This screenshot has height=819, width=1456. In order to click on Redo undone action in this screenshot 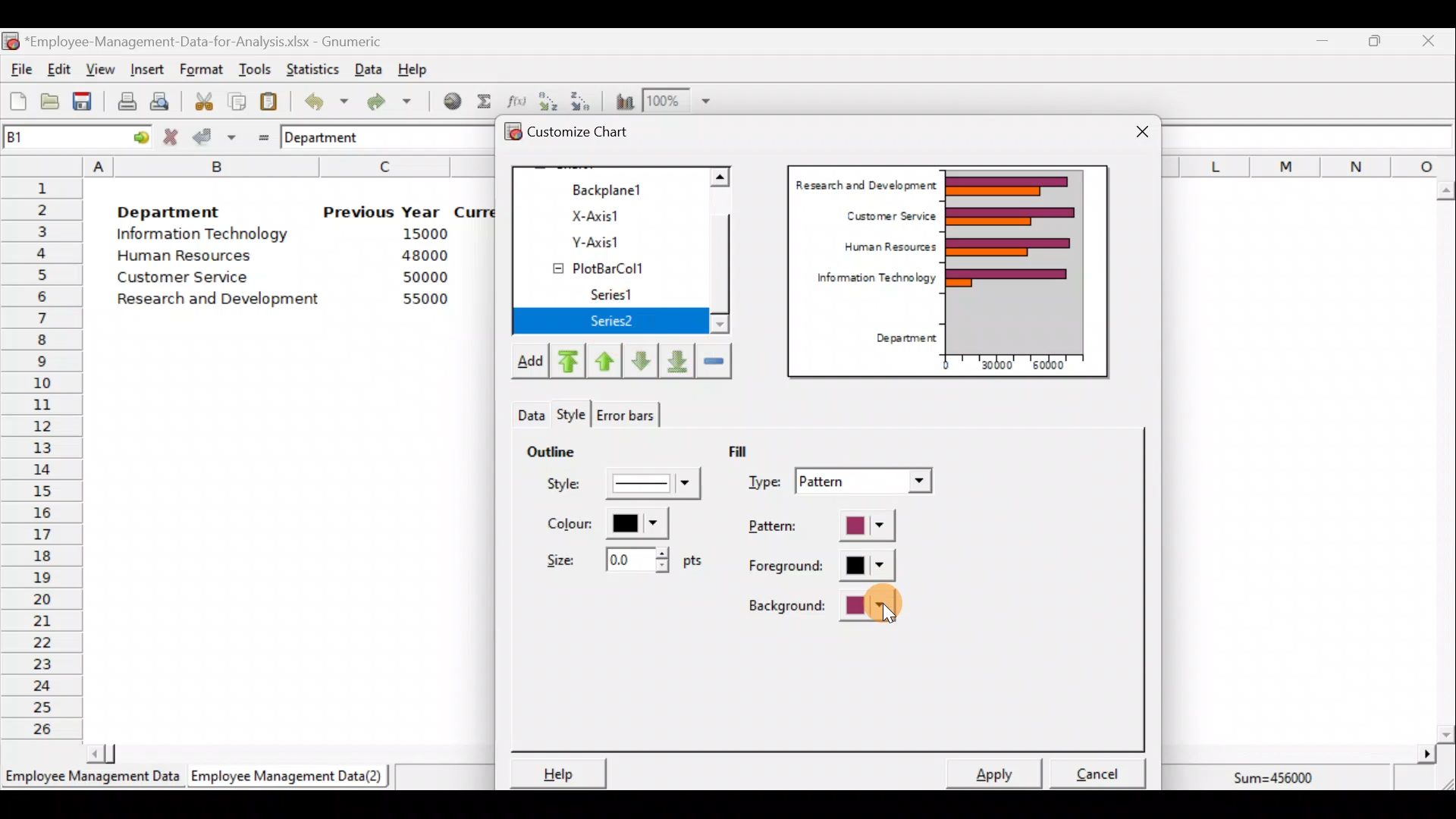, I will do `click(386, 102)`.